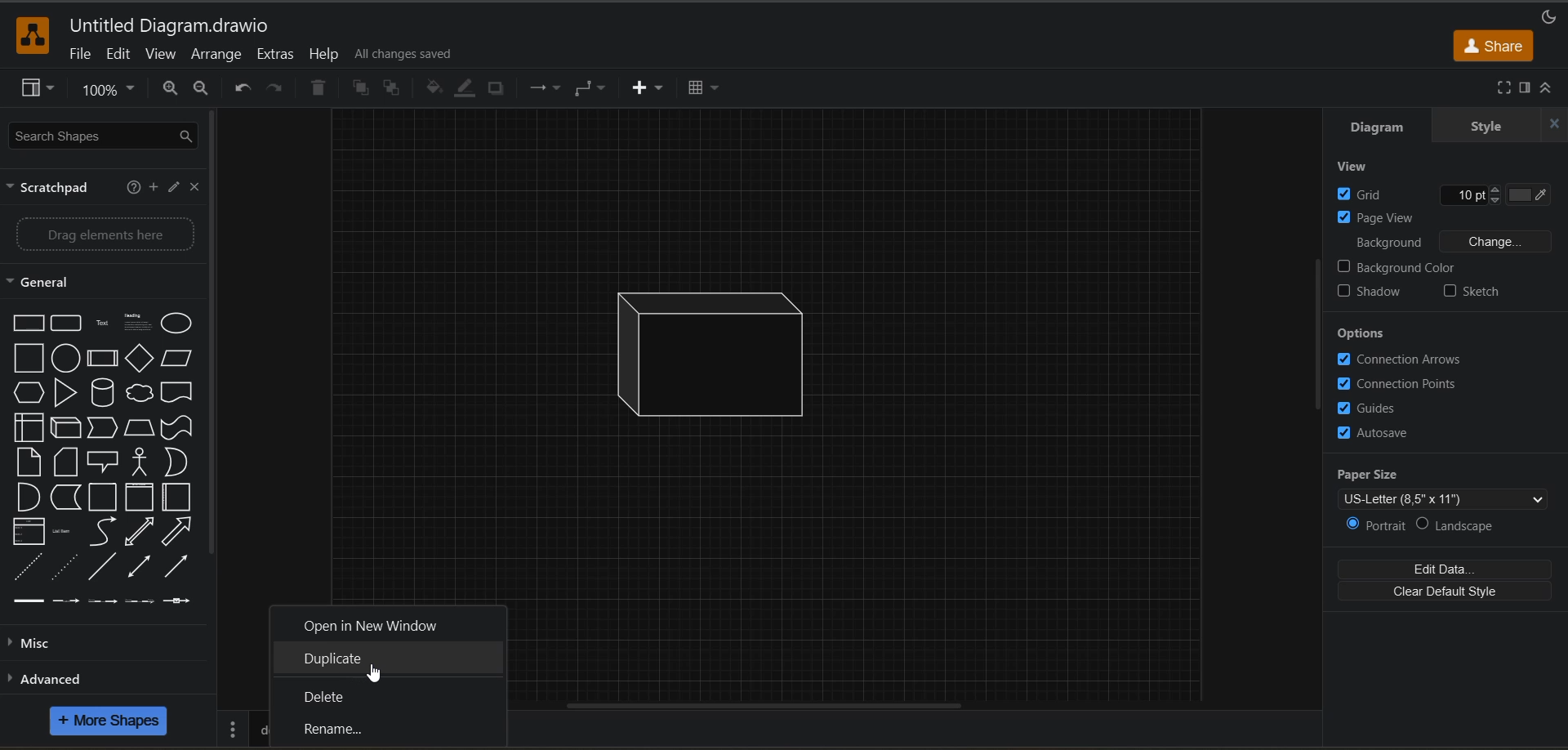  What do you see at coordinates (86, 54) in the screenshot?
I see `file` at bounding box center [86, 54].